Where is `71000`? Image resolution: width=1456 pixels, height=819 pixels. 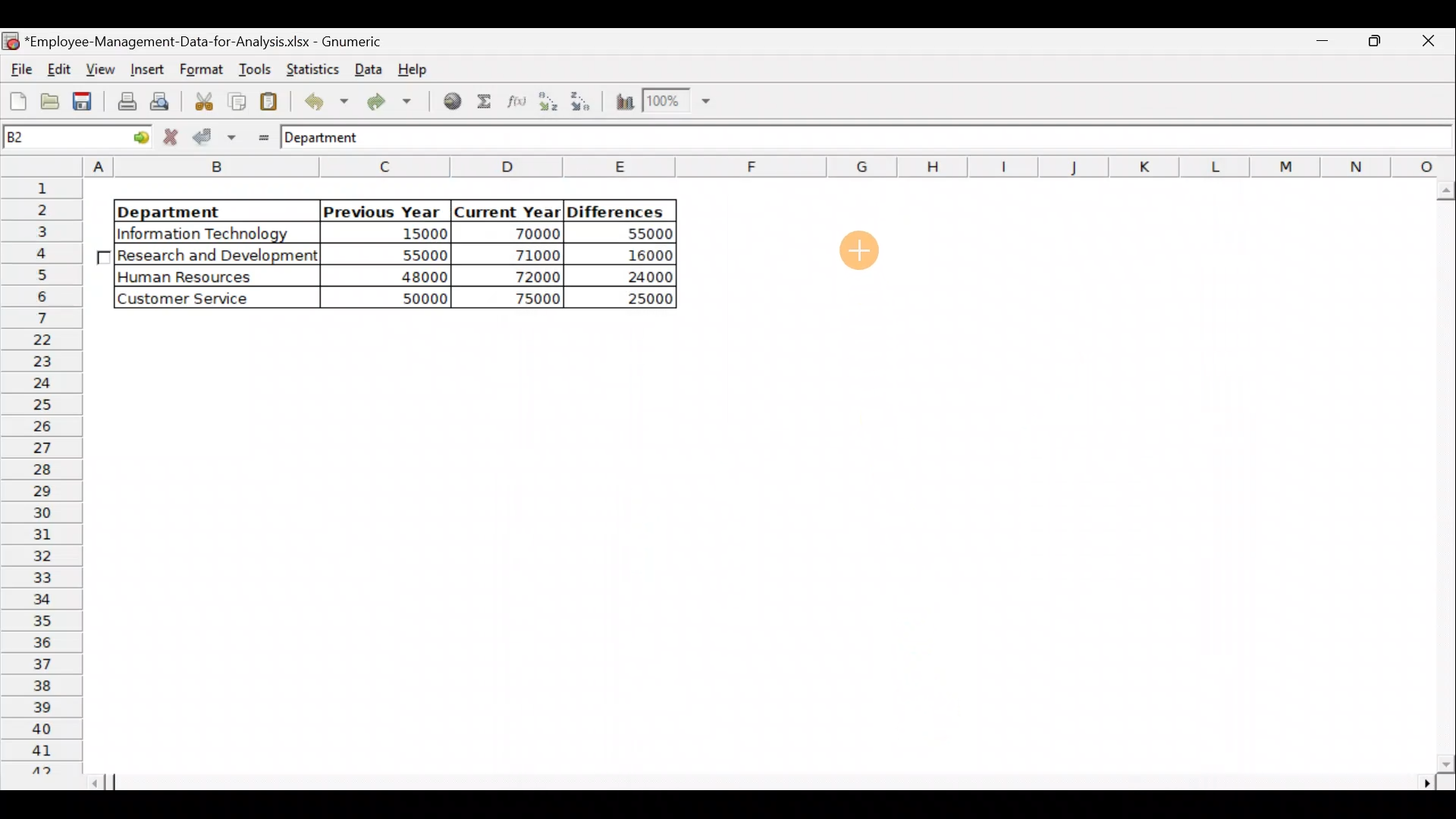
71000 is located at coordinates (525, 254).